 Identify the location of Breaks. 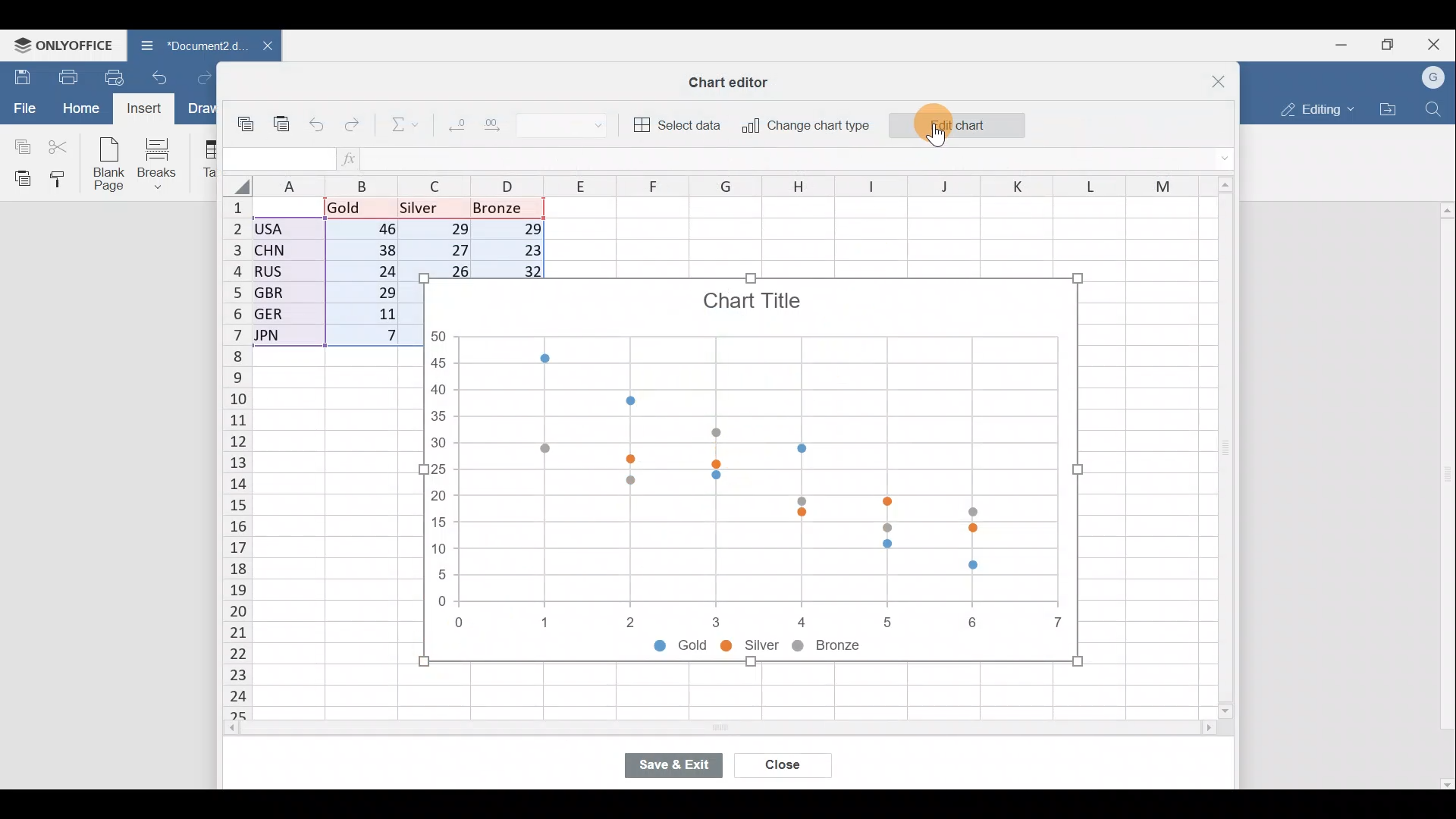
(165, 162).